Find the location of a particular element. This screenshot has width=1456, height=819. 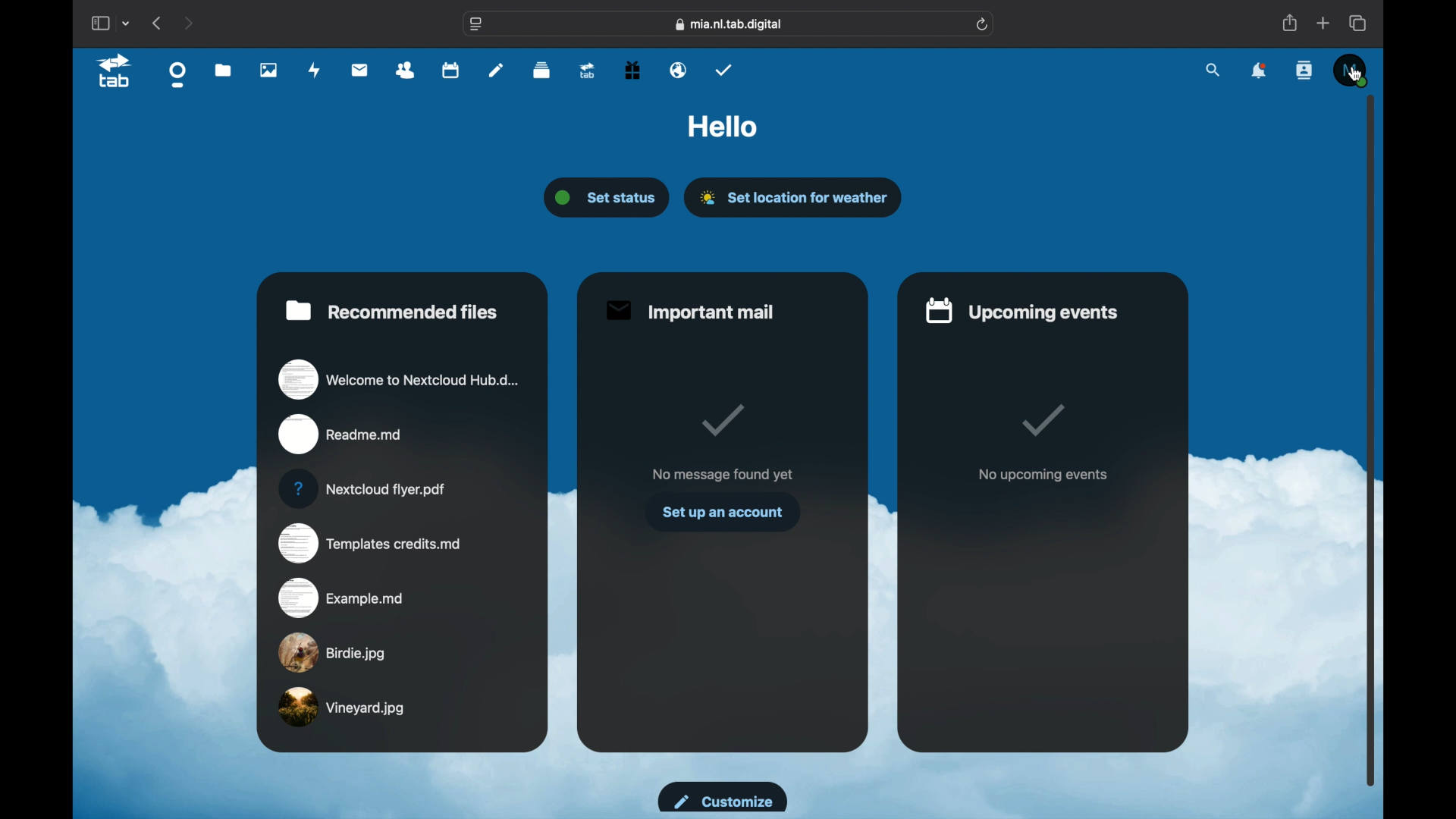

new tab is located at coordinates (1323, 23).